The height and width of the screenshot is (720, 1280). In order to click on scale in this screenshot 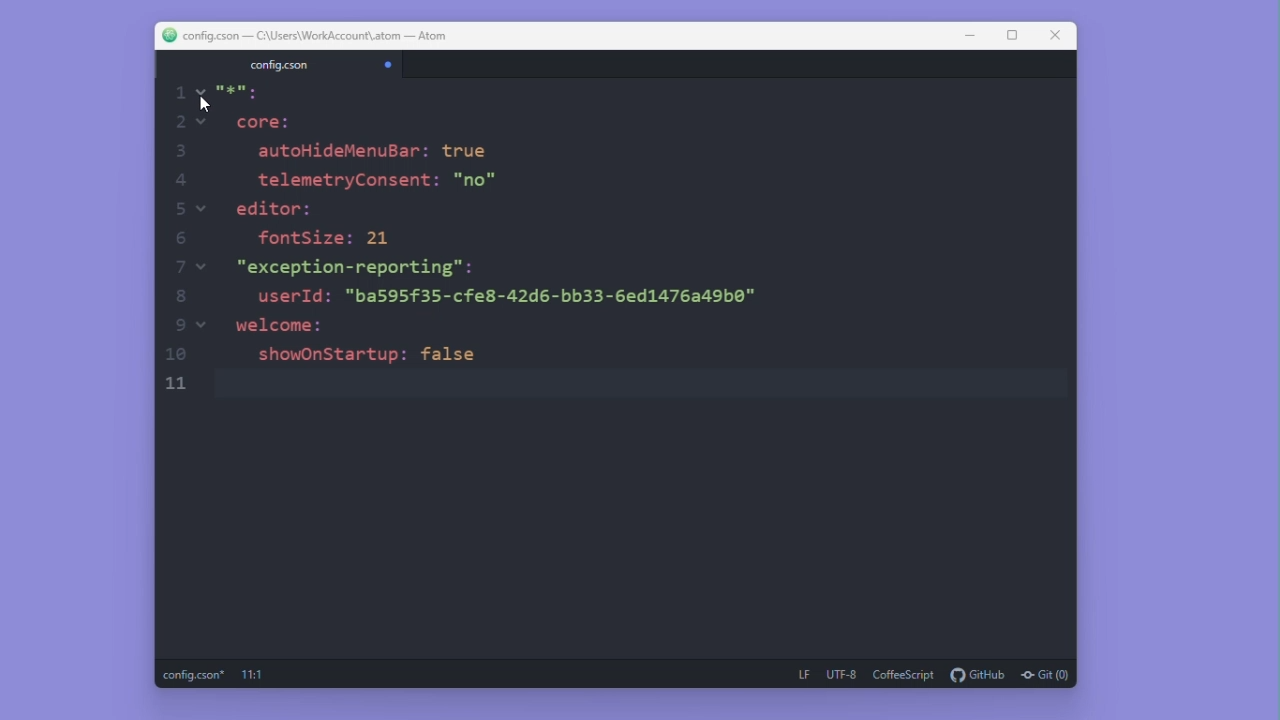, I will do `click(180, 254)`.